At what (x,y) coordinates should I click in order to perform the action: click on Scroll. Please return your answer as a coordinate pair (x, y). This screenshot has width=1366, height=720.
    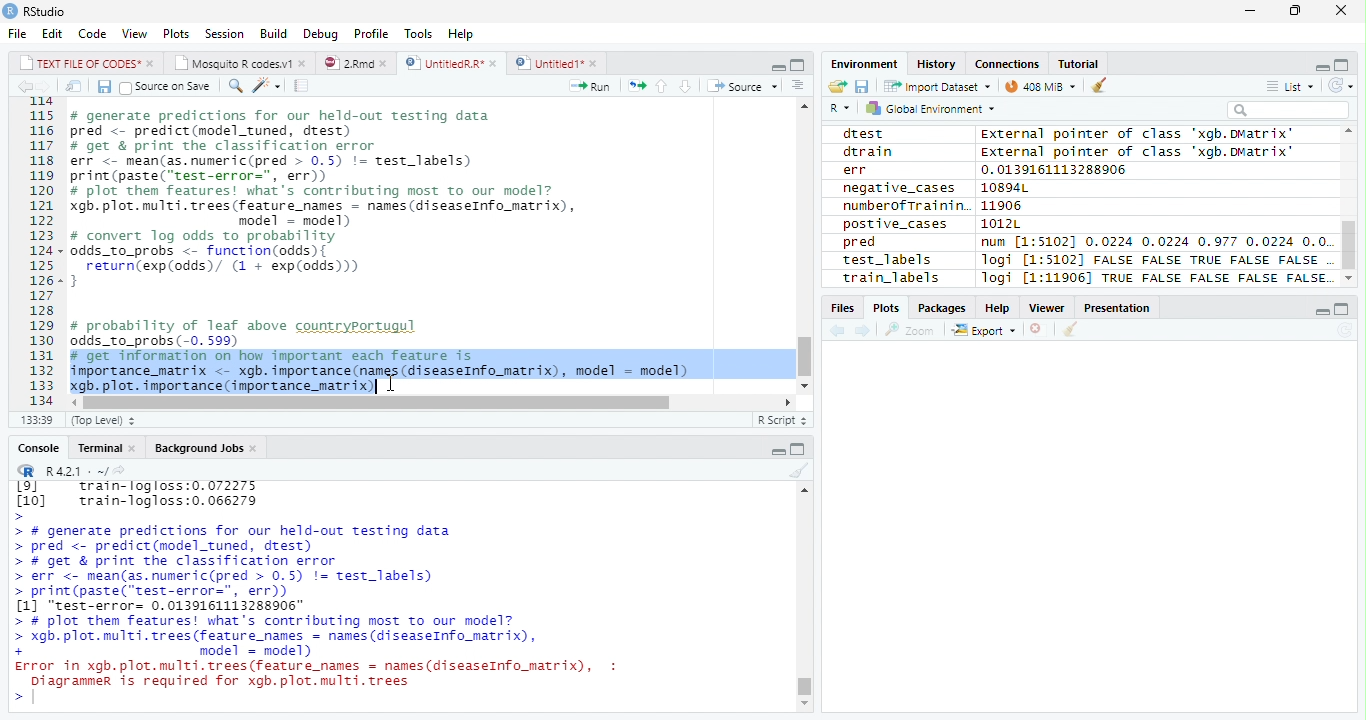
    Looking at the image, I should click on (1349, 207).